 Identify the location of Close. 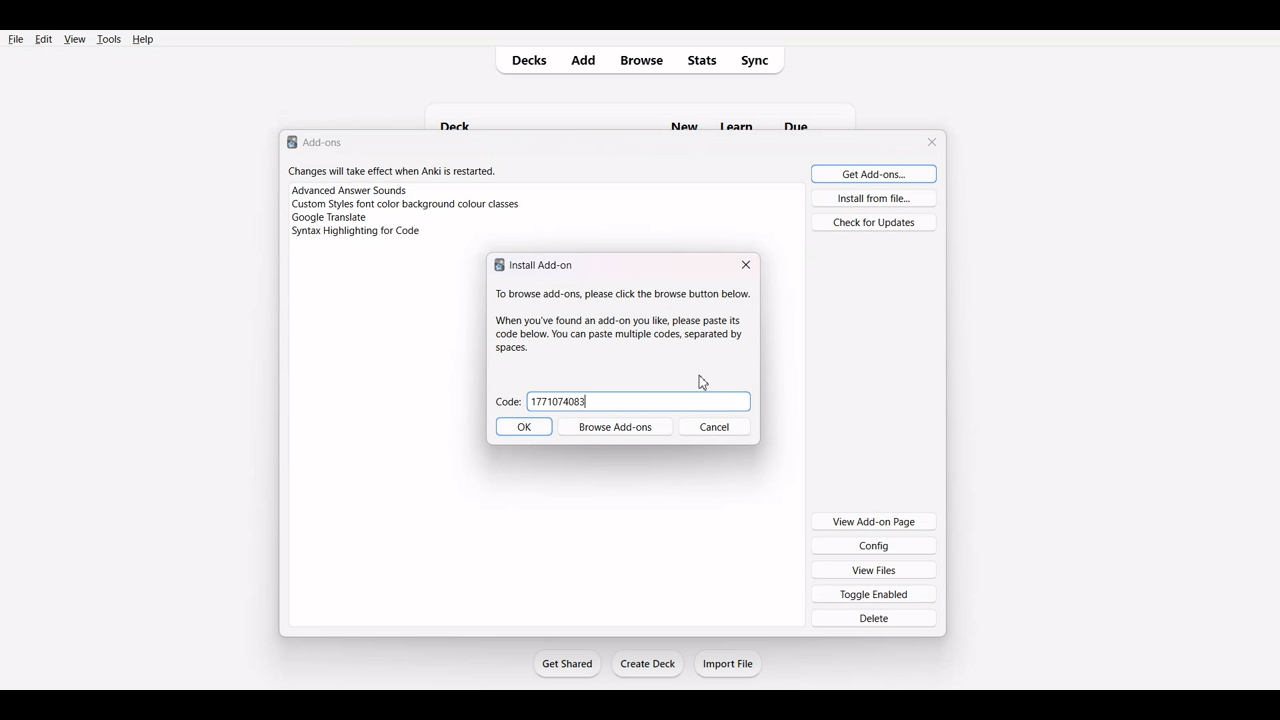
(934, 142).